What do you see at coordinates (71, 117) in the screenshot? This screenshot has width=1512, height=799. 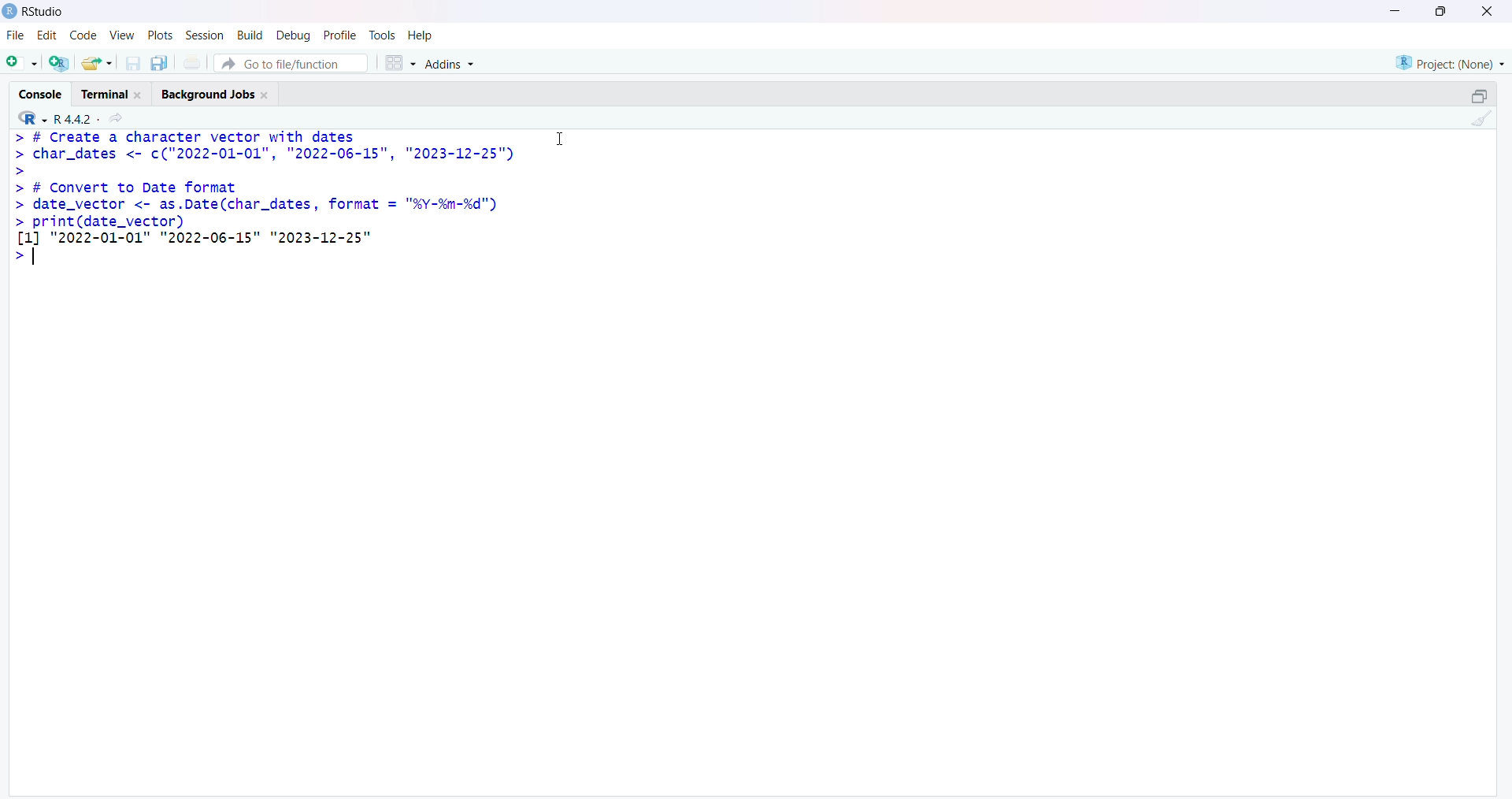 I see `R.4.2.2` at bounding box center [71, 117].